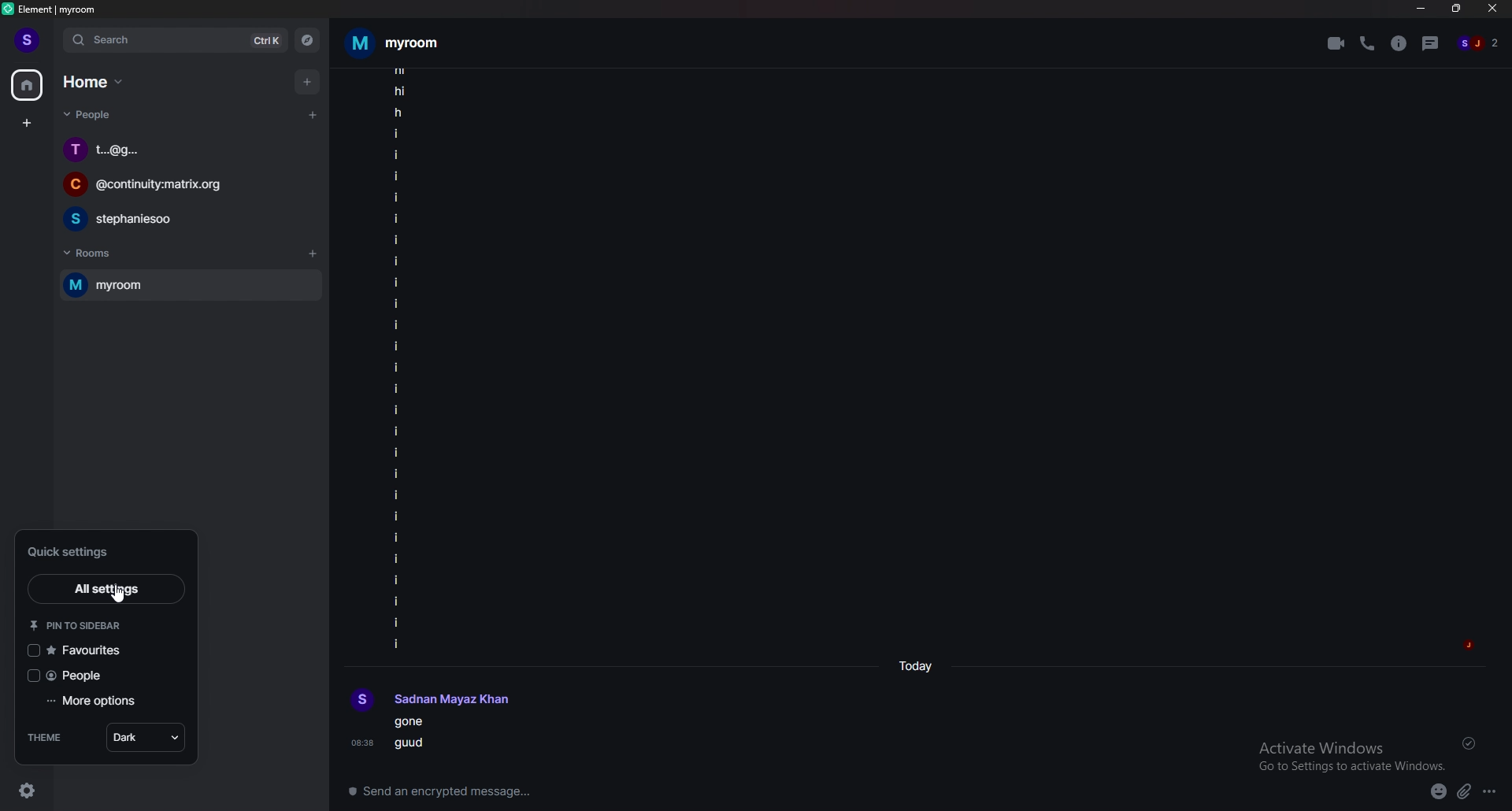 The width and height of the screenshot is (1512, 811). What do you see at coordinates (1432, 791) in the screenshot?
I see `emoji` at bounding box center [1432, 791].